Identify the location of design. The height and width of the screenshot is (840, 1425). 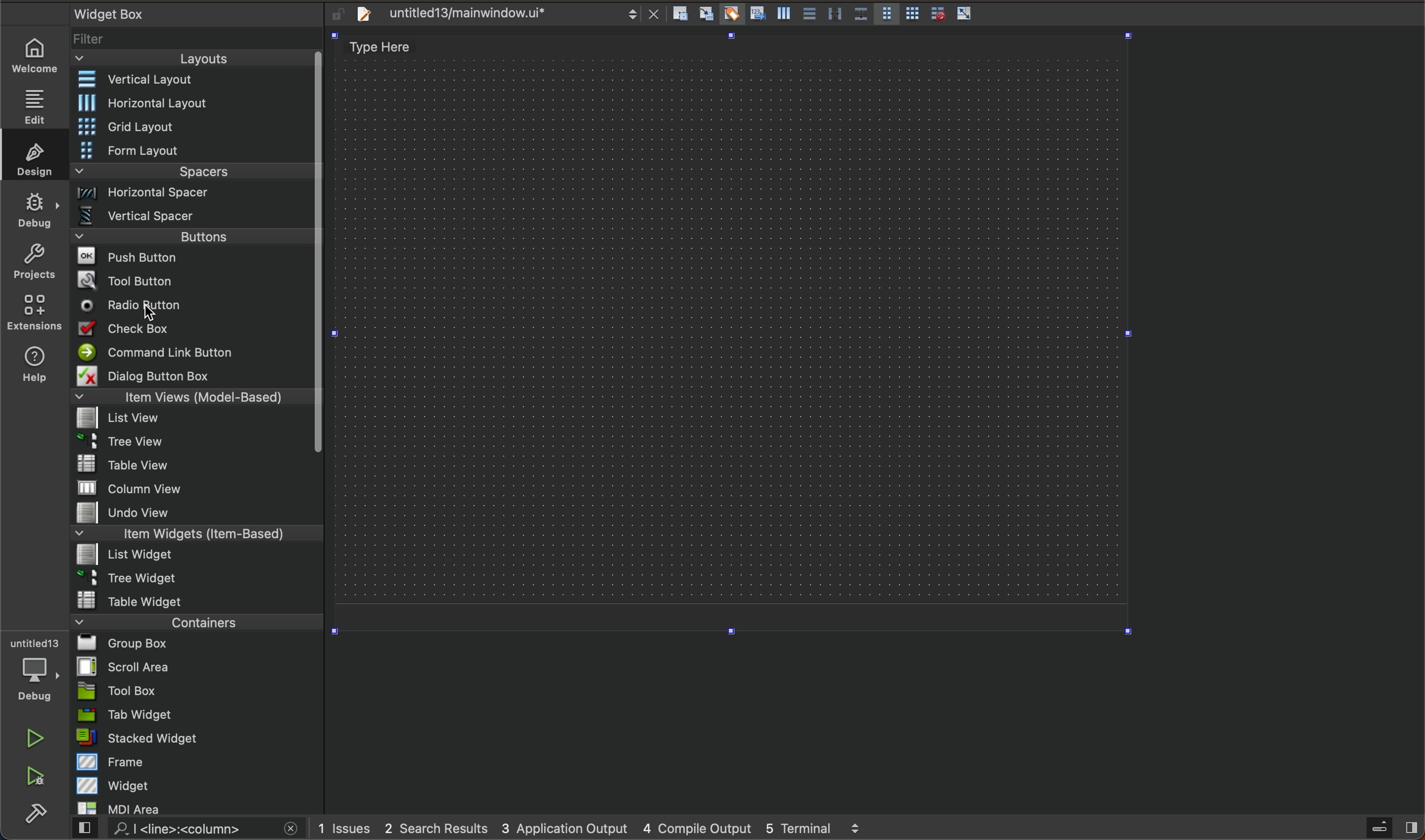
(31, 155).